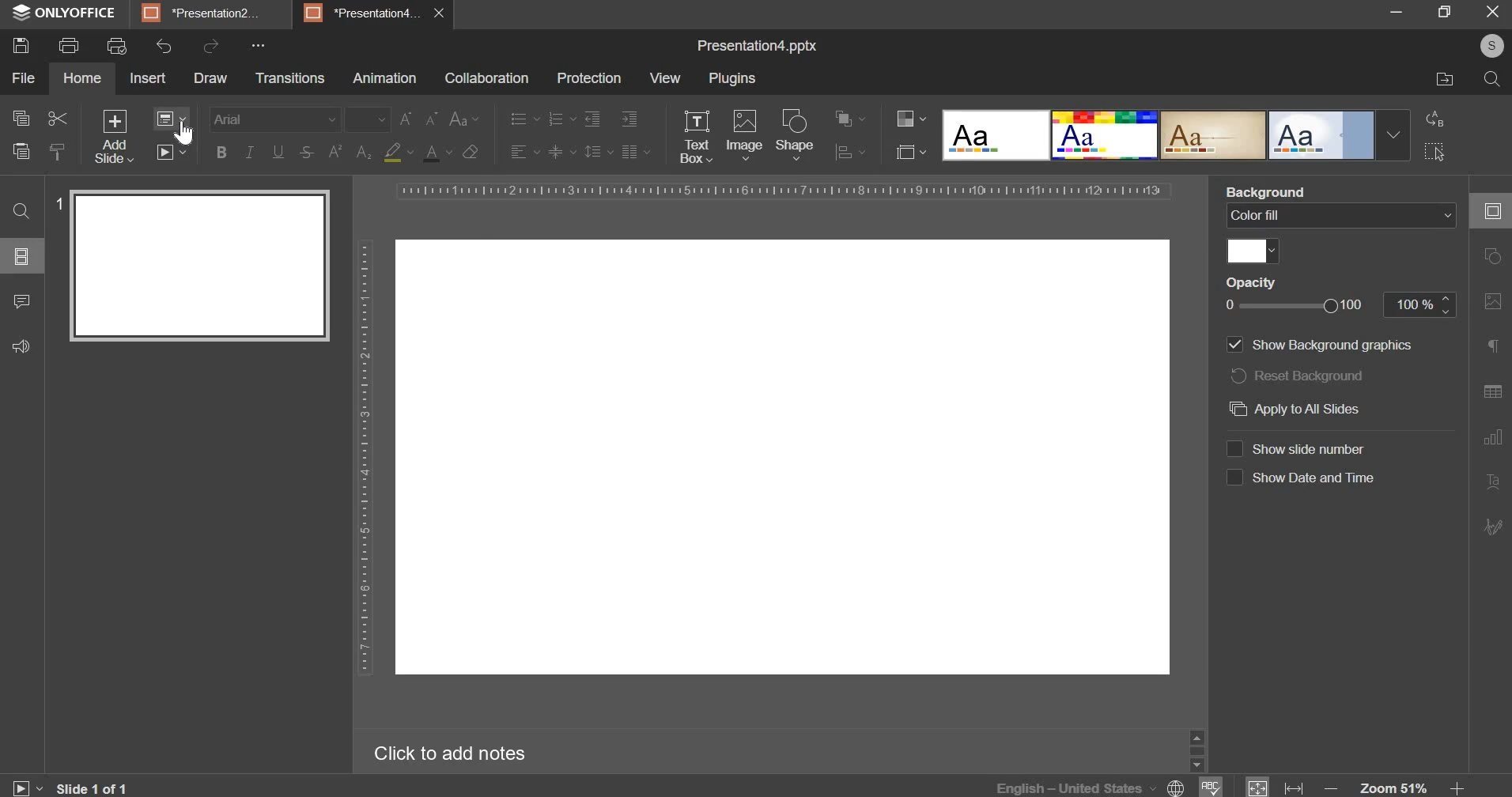 This screenshot has width=1512, height=797. Describe the element at coordinates (419, 118) in the screenshot. I see `change font size` at that location.